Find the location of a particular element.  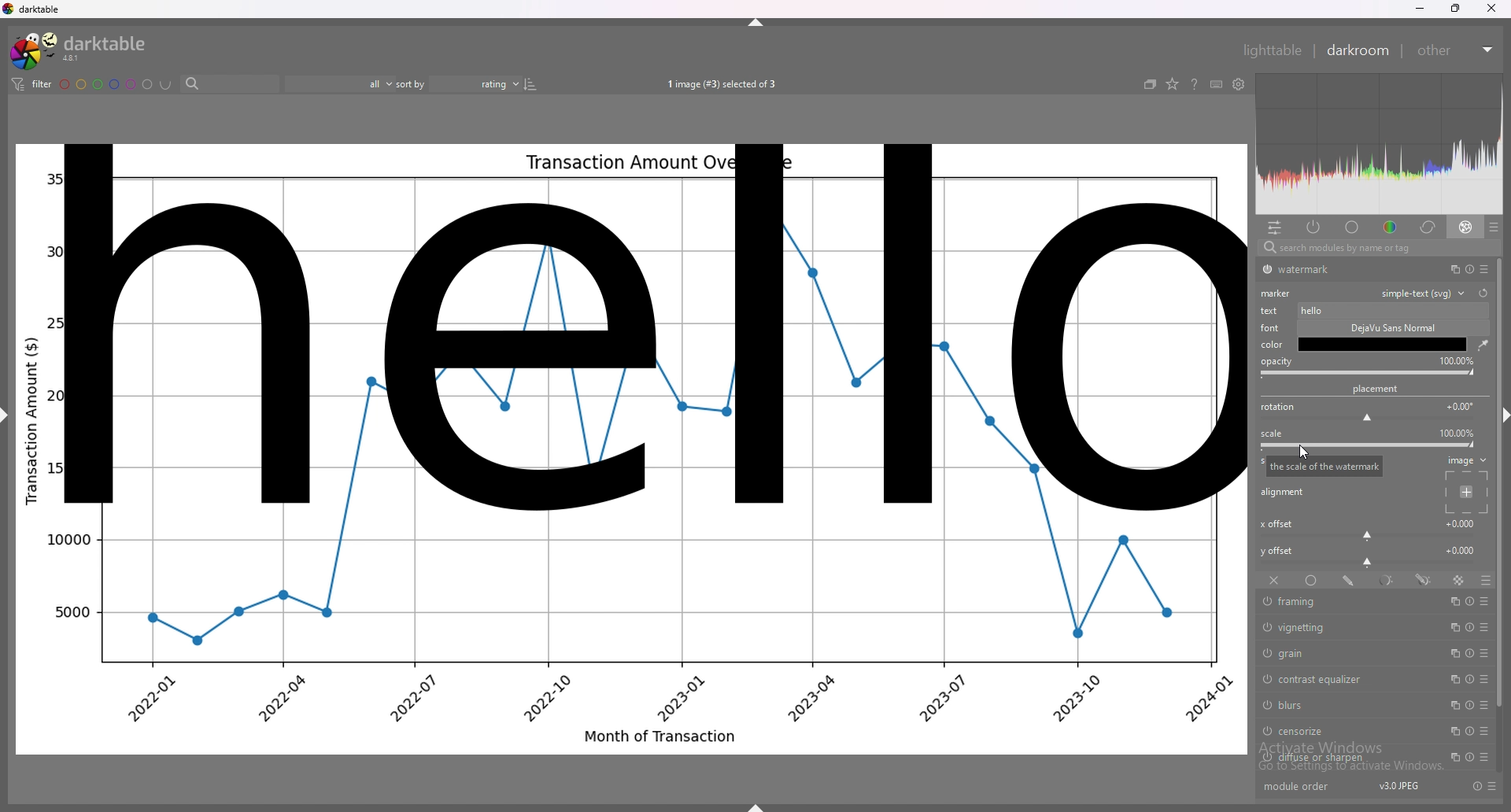

vignetting is located at coordinates (1347, 629).